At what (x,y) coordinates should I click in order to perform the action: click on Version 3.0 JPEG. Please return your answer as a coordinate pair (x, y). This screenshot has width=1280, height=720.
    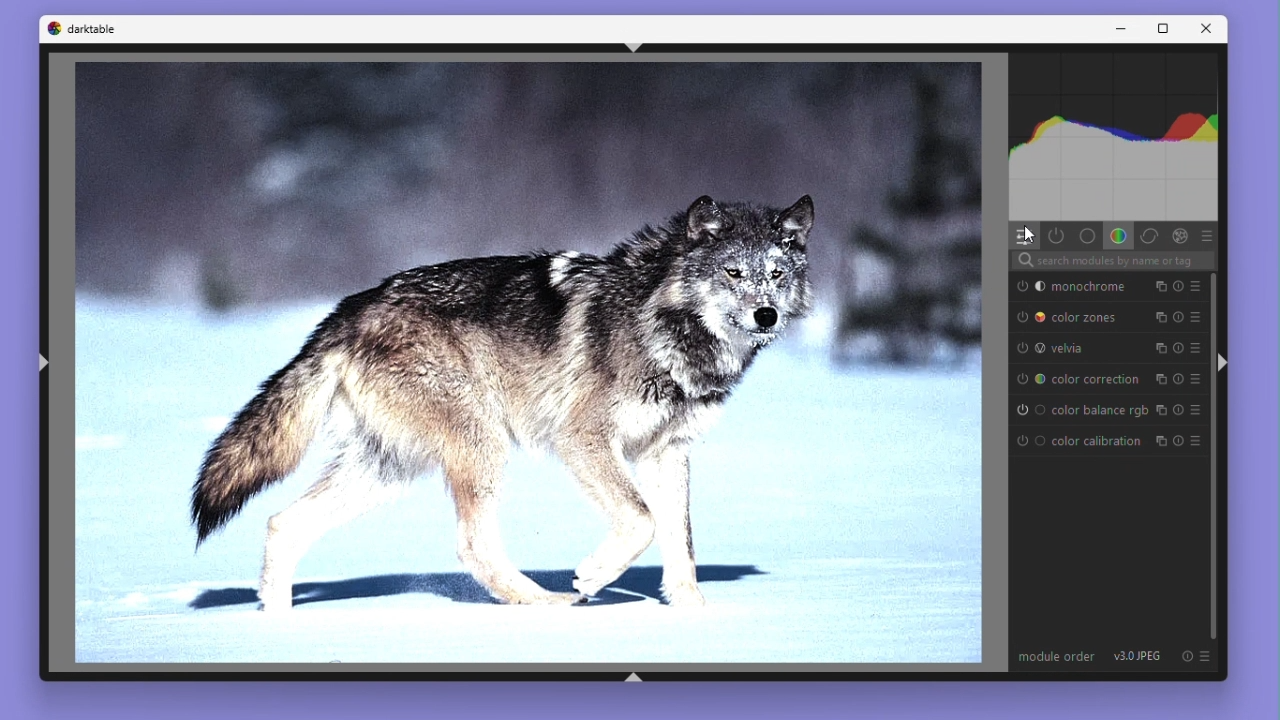
    Looking at the image, I should click on (1142, 658).